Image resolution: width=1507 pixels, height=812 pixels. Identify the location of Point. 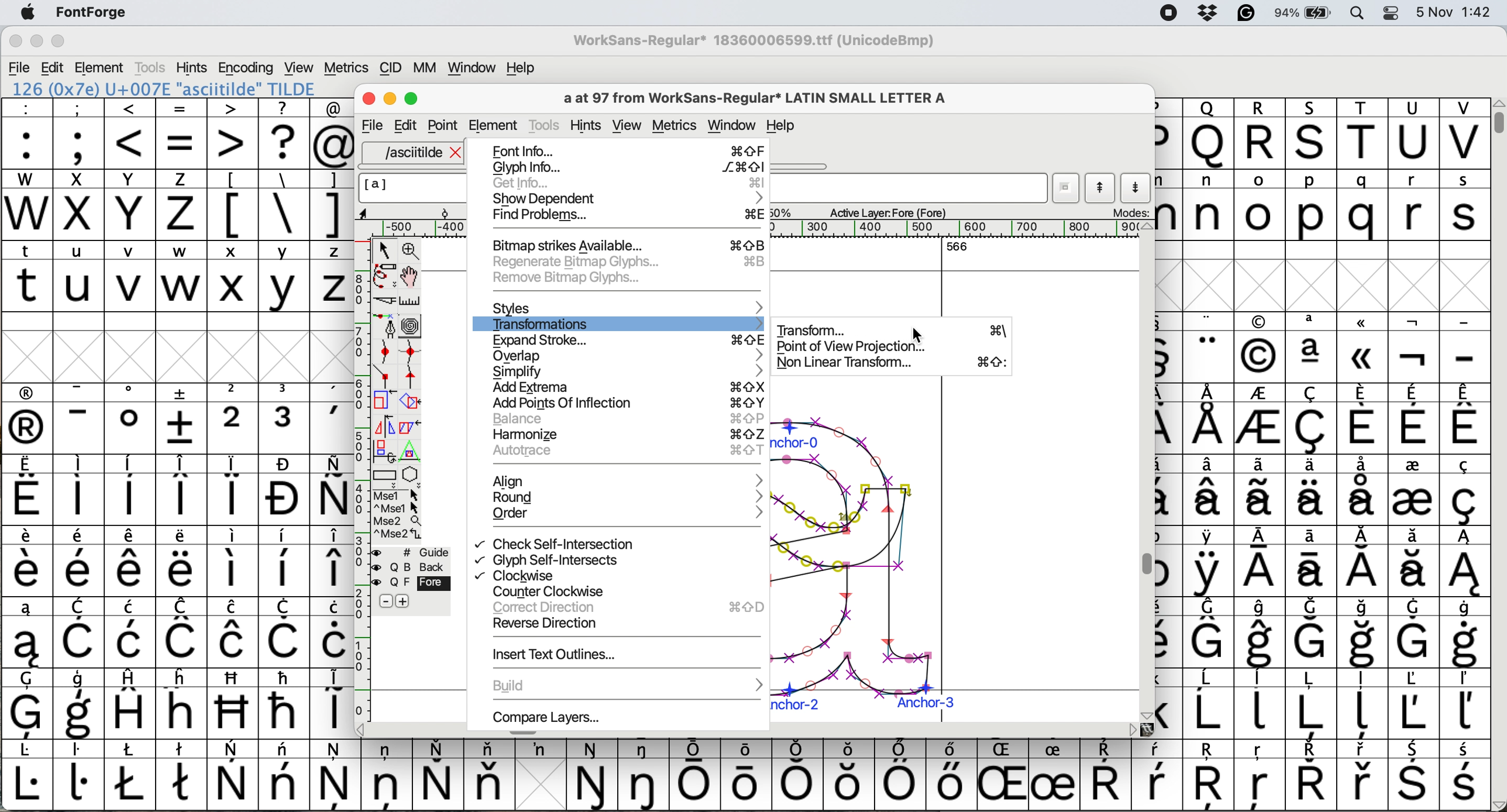
(444, 127).